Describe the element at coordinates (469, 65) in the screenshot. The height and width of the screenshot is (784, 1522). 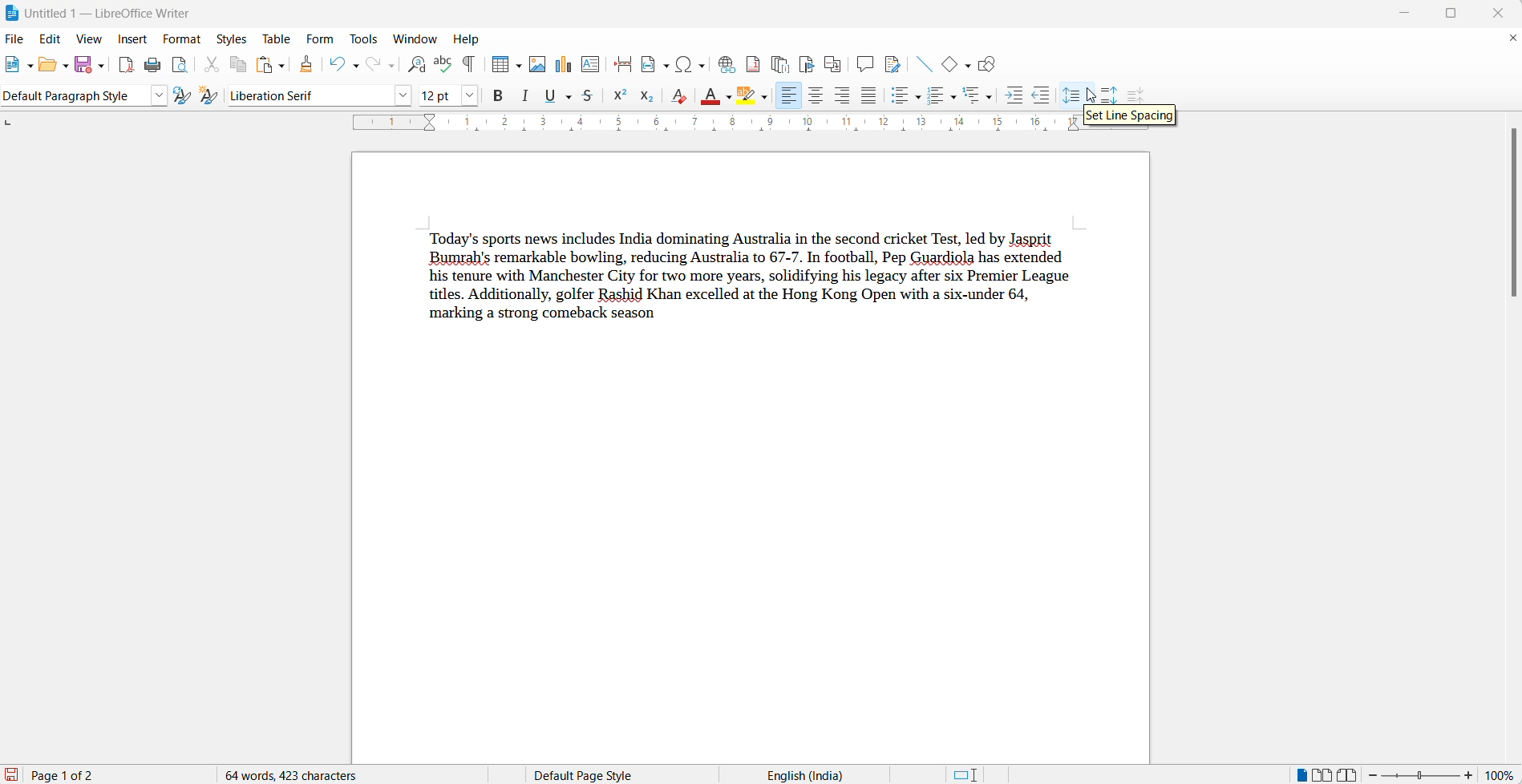
I see `toggle formatting marks` at that location.